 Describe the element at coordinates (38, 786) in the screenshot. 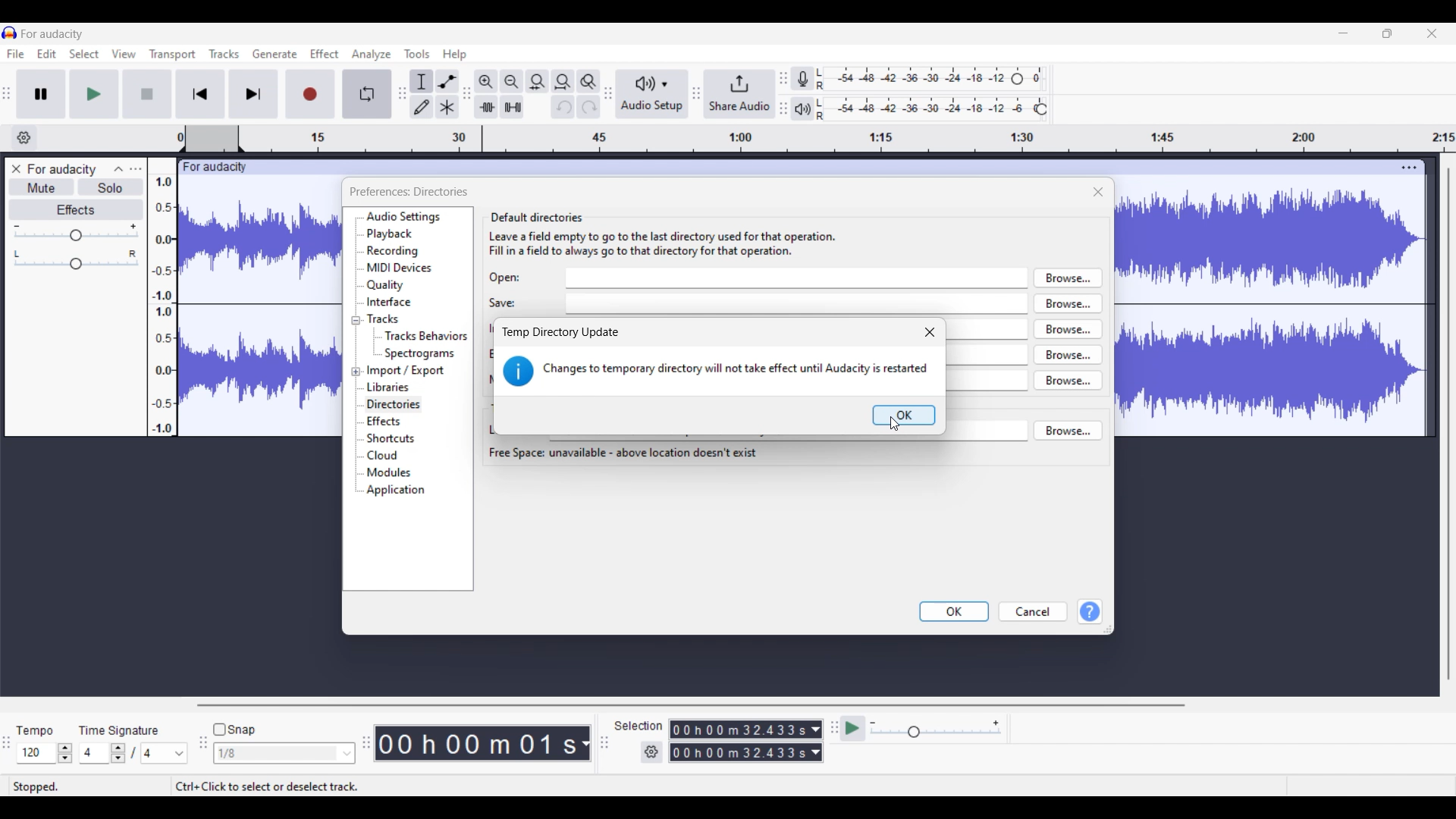

I see `Status of current track` at that location.